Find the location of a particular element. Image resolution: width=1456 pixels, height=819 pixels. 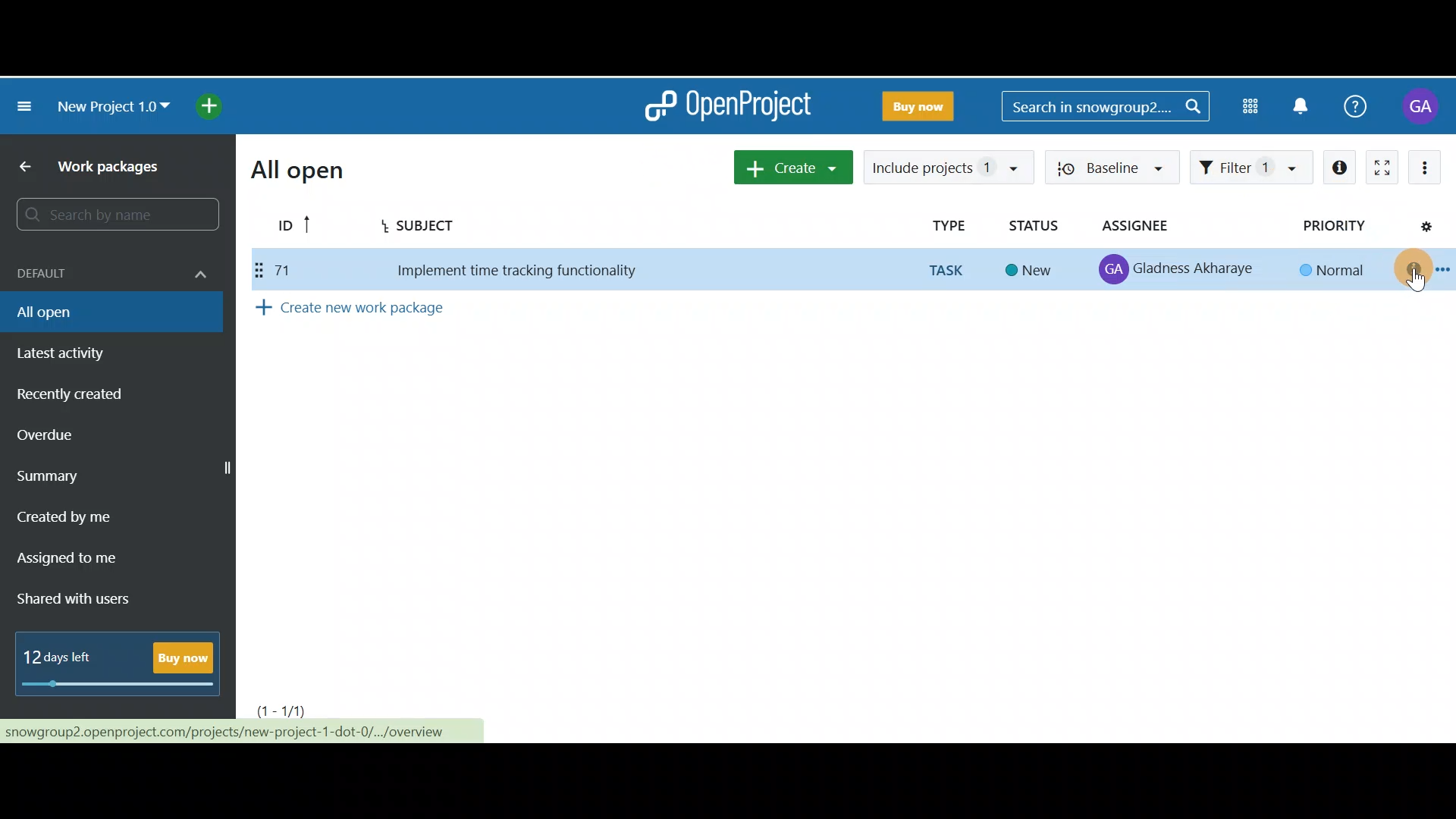

New project 1.0 is located at coordinates (108, 104).